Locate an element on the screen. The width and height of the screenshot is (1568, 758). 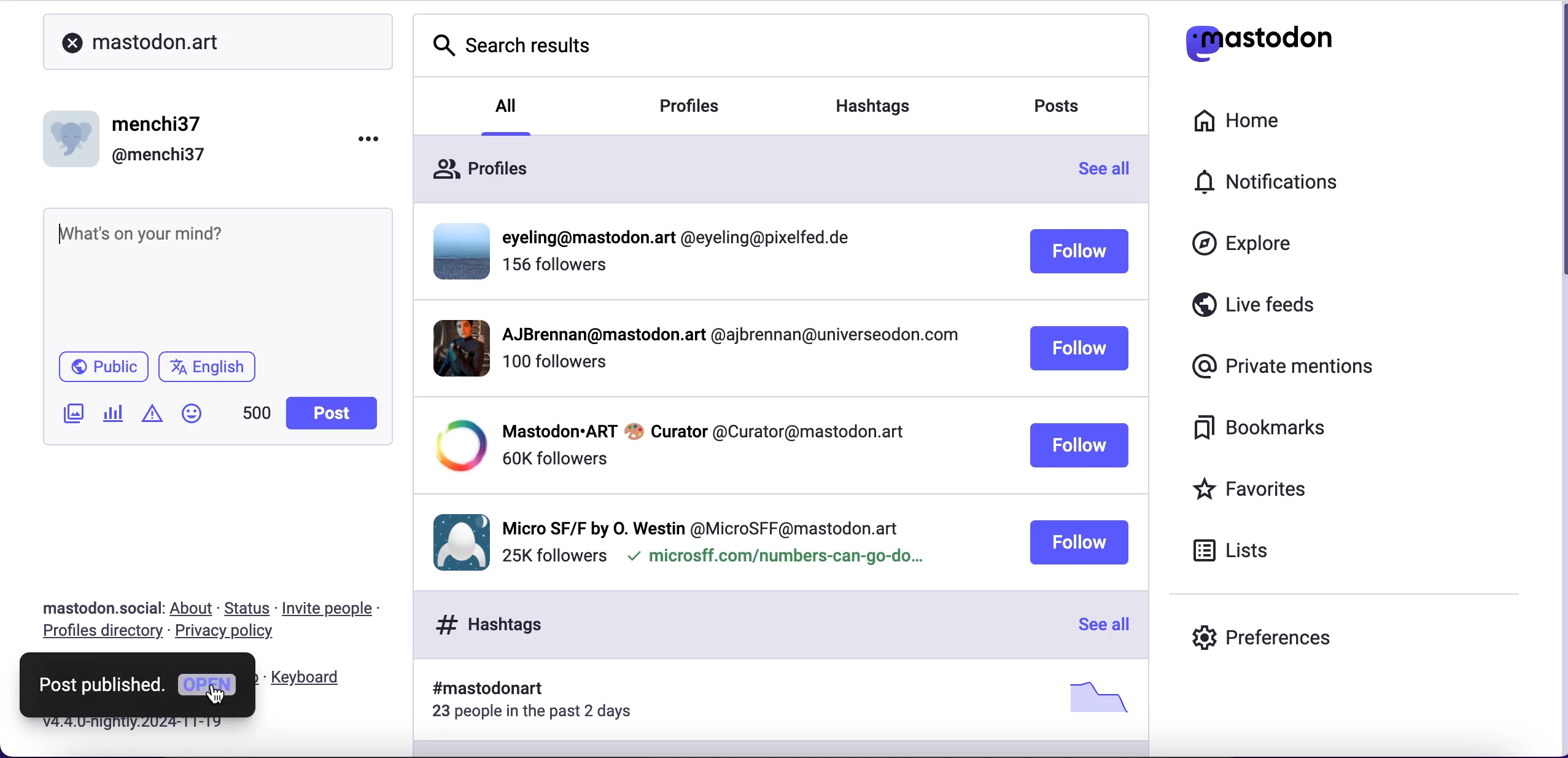
post is located at coordinates (330, 412).